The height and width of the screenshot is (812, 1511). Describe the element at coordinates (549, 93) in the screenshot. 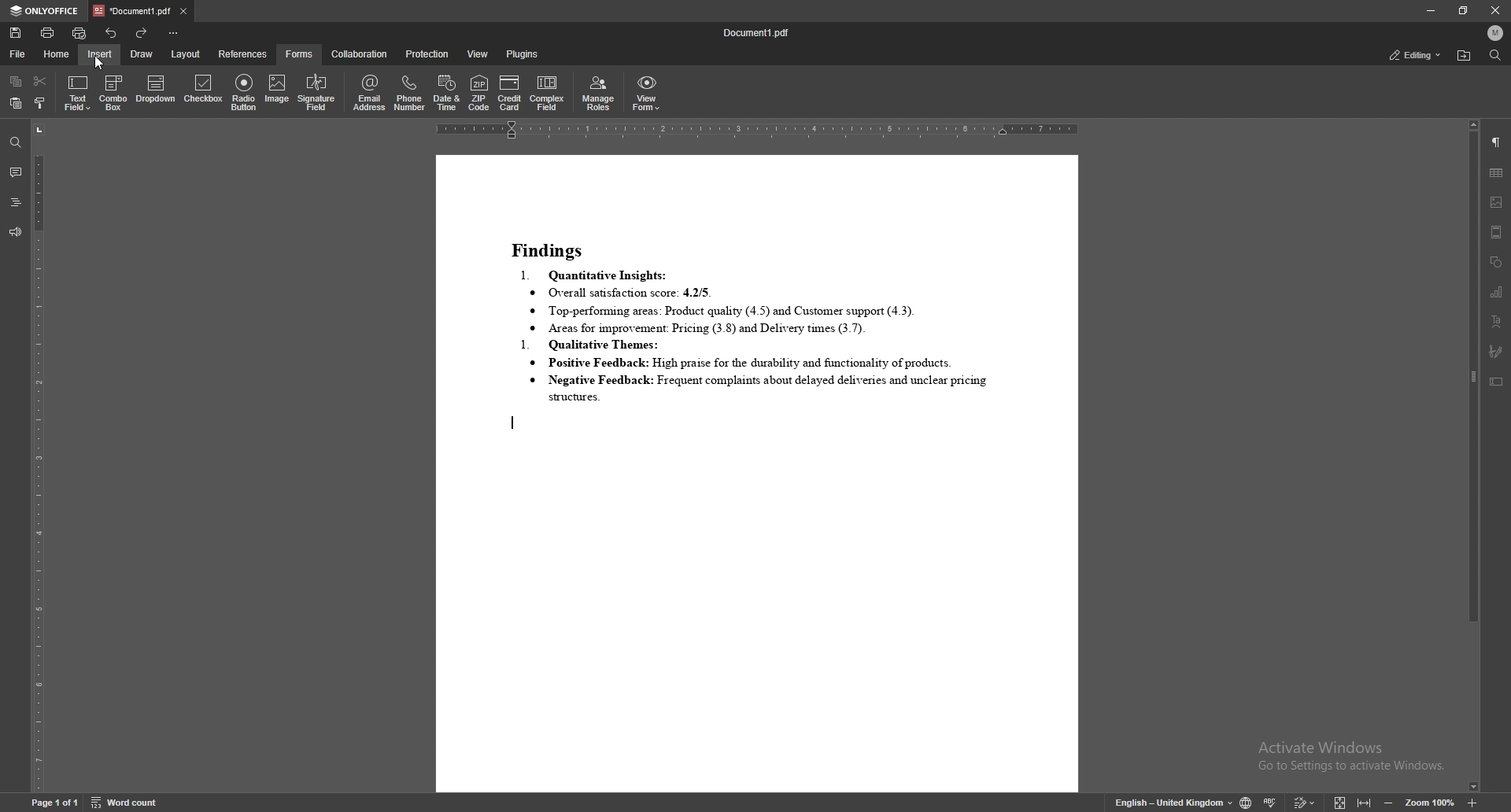

I see `complex field` at that location.